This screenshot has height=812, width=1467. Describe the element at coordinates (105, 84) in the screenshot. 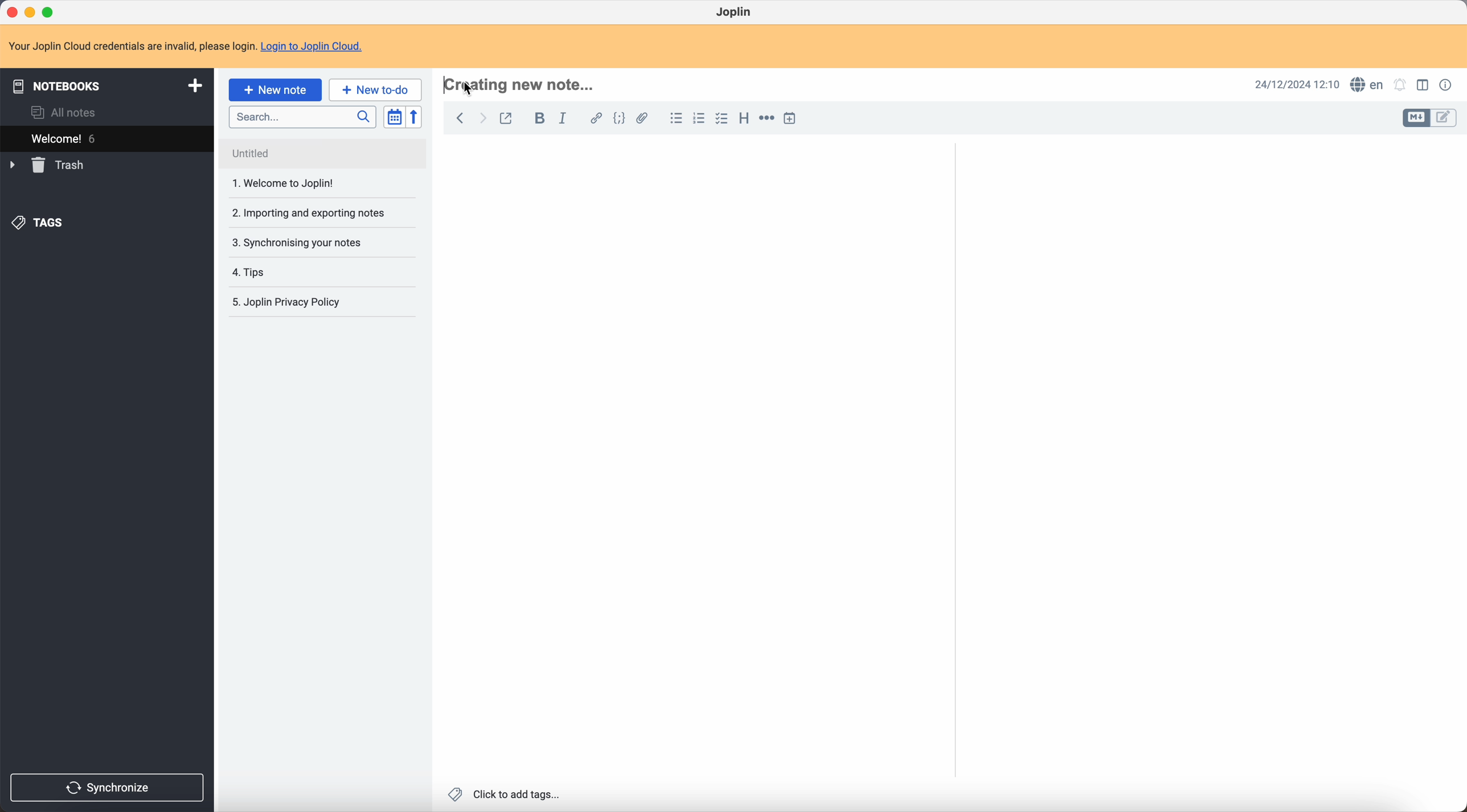

I see `notebooks` at that location.